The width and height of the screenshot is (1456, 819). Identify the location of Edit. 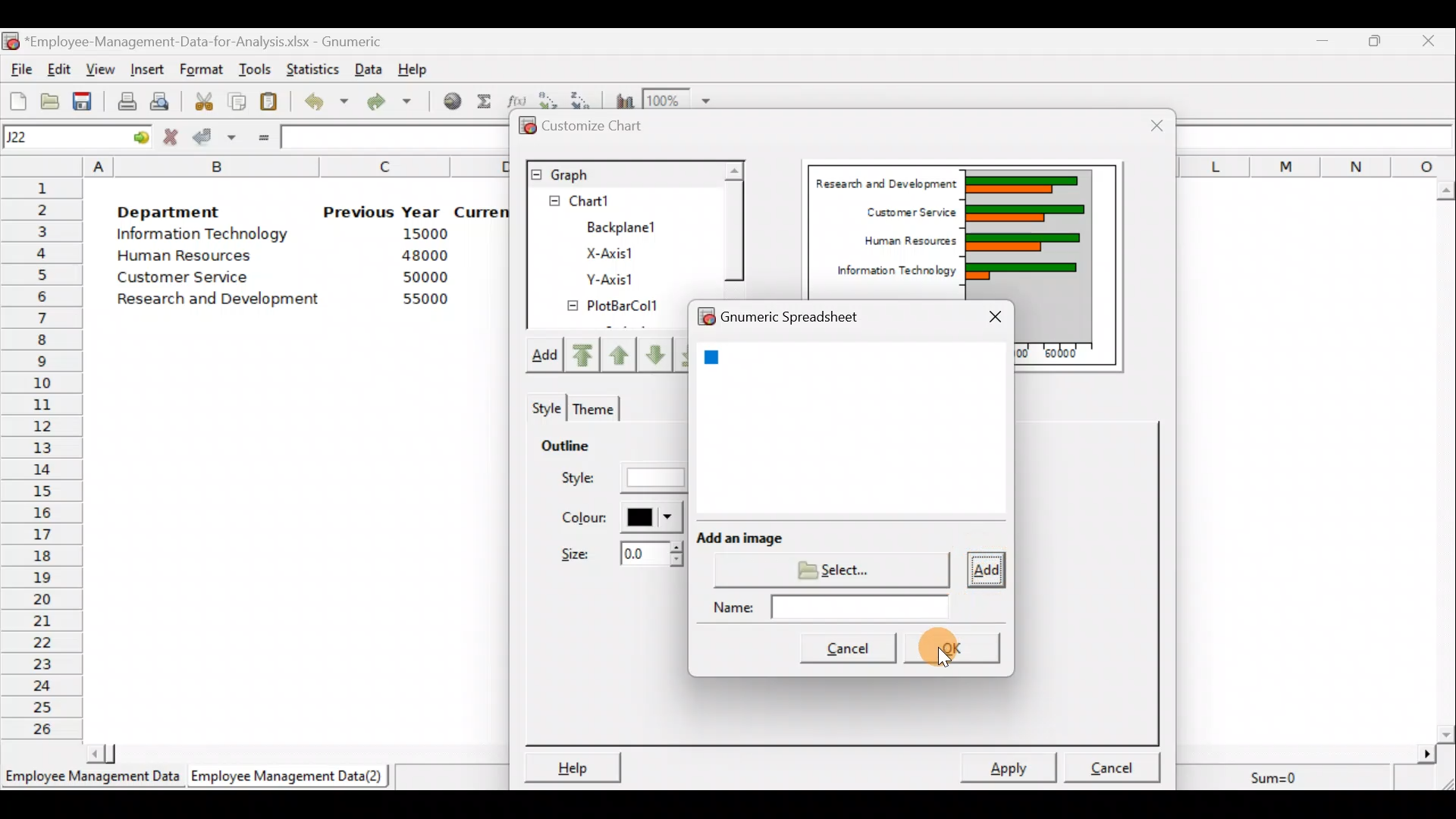
(61, 68).